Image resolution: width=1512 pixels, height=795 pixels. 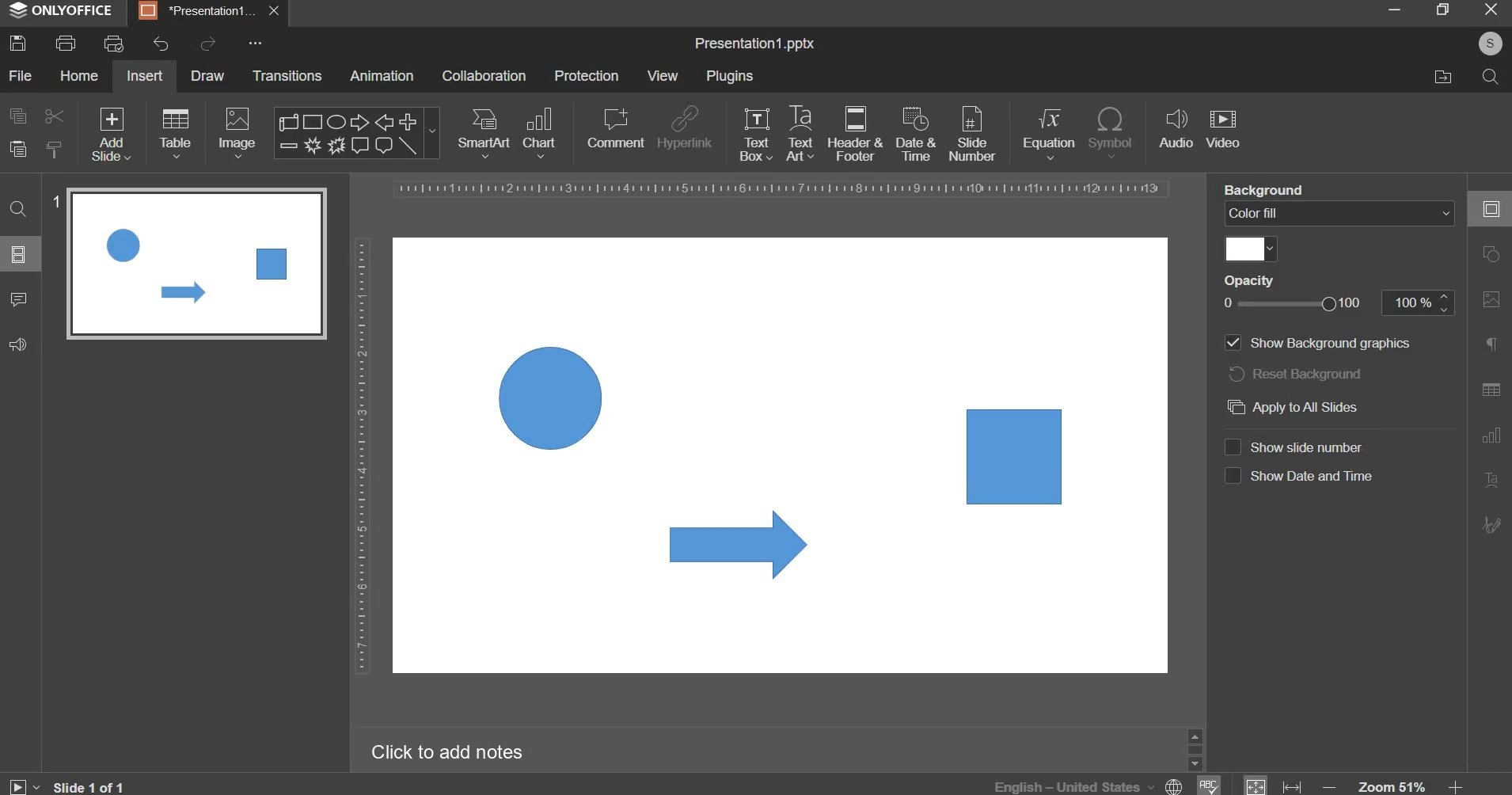 What do you see at coordinates (176, 132) in the screenshot?
I see `table` at bounding box center [176, 132].